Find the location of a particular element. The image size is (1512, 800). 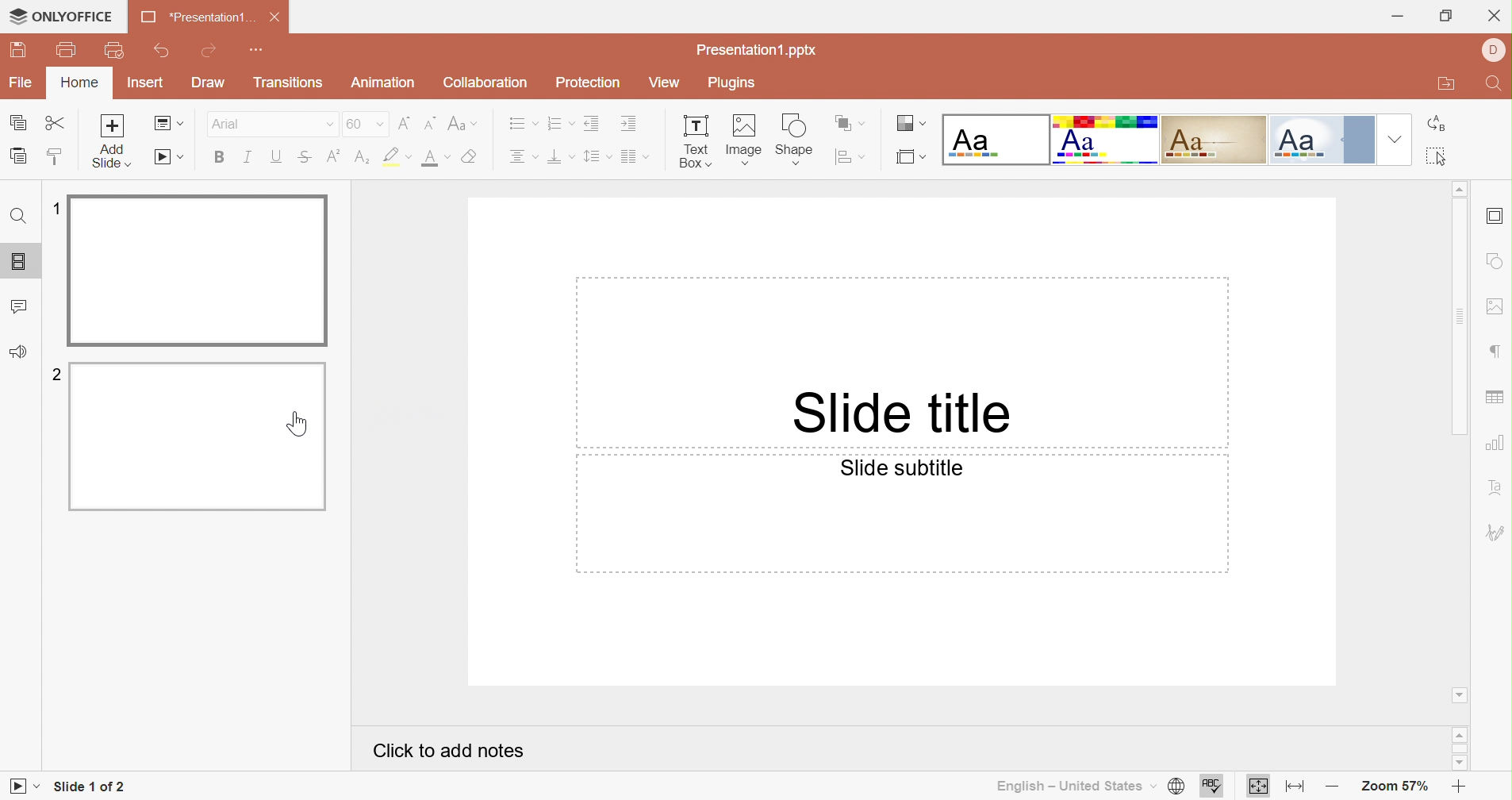

Print is located at coordinates (67, 50).